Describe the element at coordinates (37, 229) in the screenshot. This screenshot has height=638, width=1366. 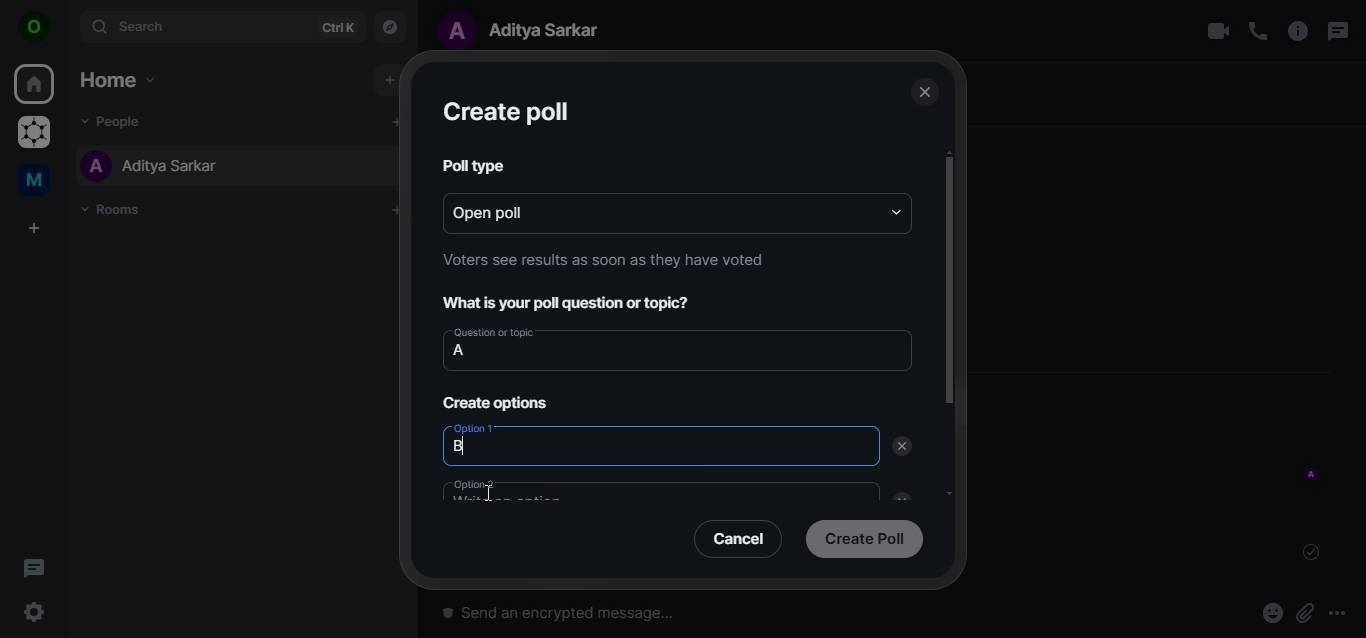
I see `create a space` at that location.